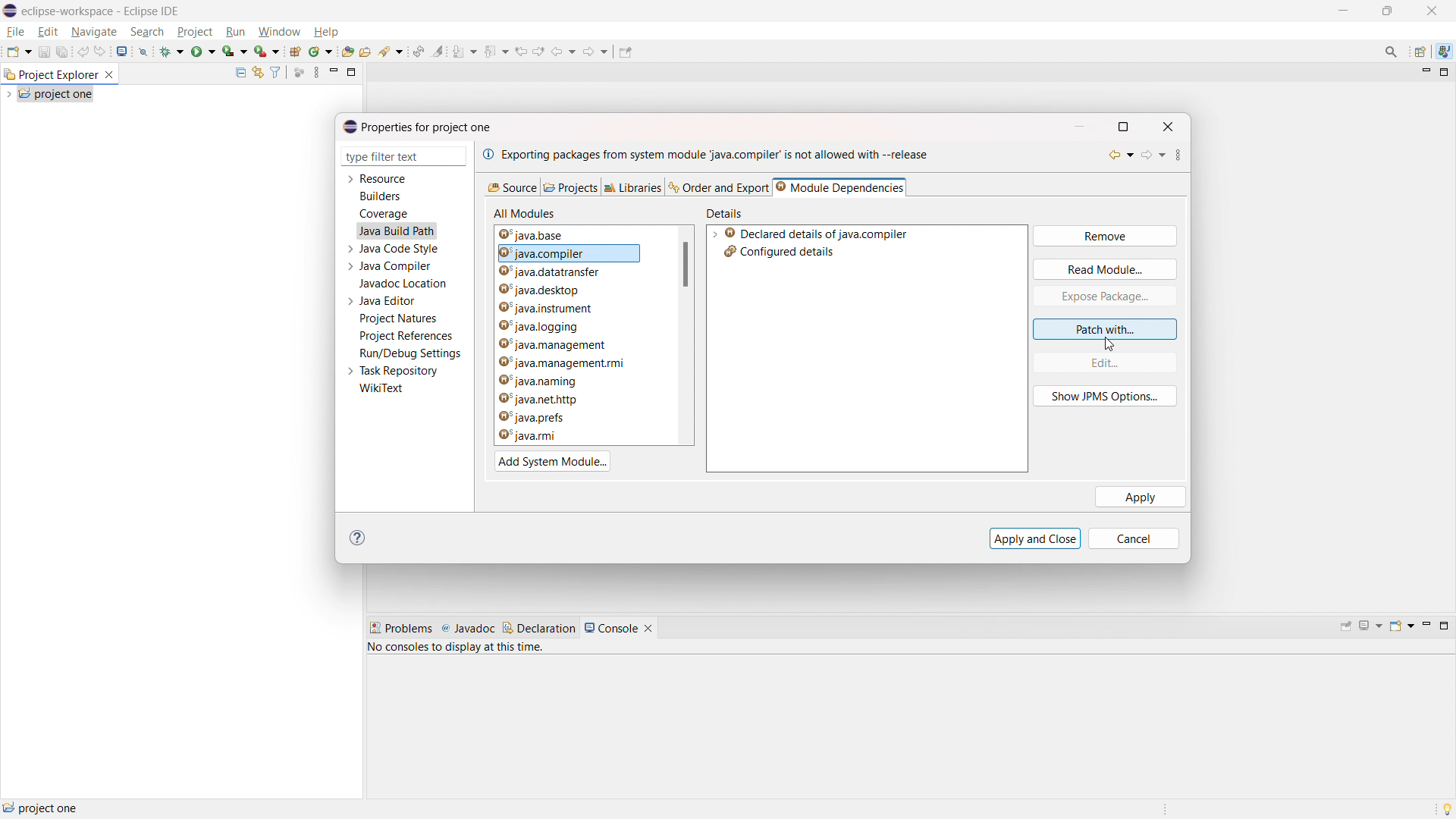 The image size is (1456, 819). Describe the element at coordinates (1106, 397) in the screenshot. I see `show JPMS option` at that location.